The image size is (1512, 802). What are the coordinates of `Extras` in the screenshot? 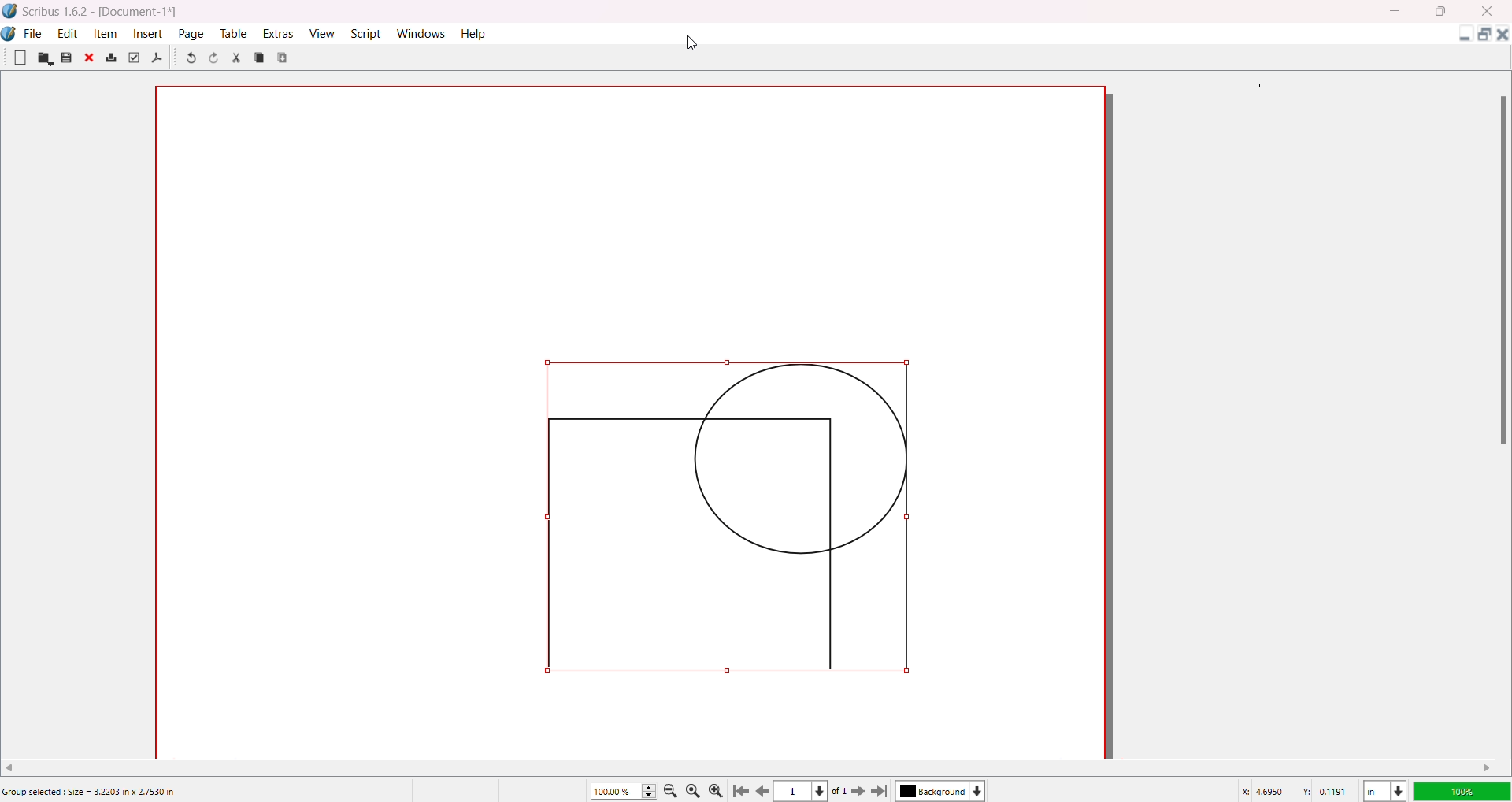 It's located at (279, 33).